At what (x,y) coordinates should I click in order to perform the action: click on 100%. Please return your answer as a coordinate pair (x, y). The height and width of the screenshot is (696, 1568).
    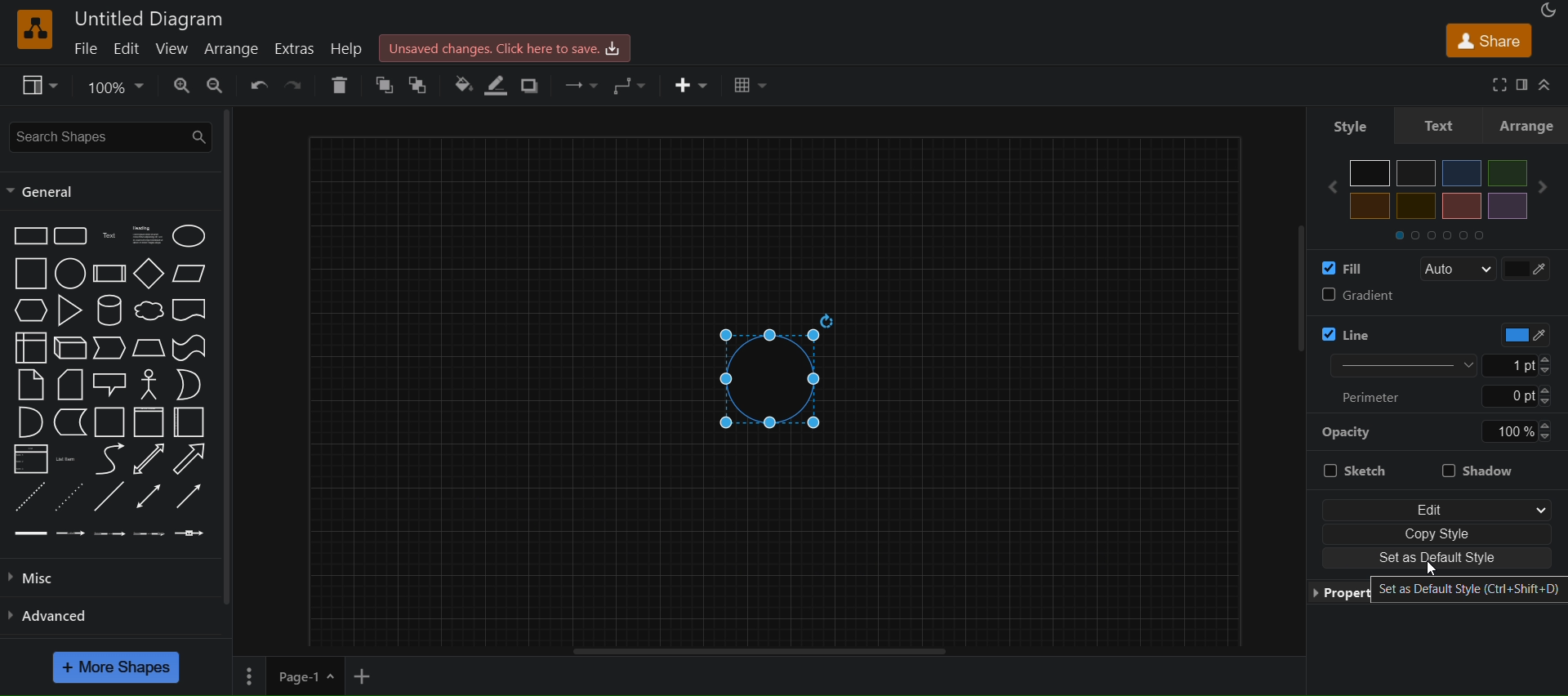
    Looking at the image, I should click on (1517, 431).